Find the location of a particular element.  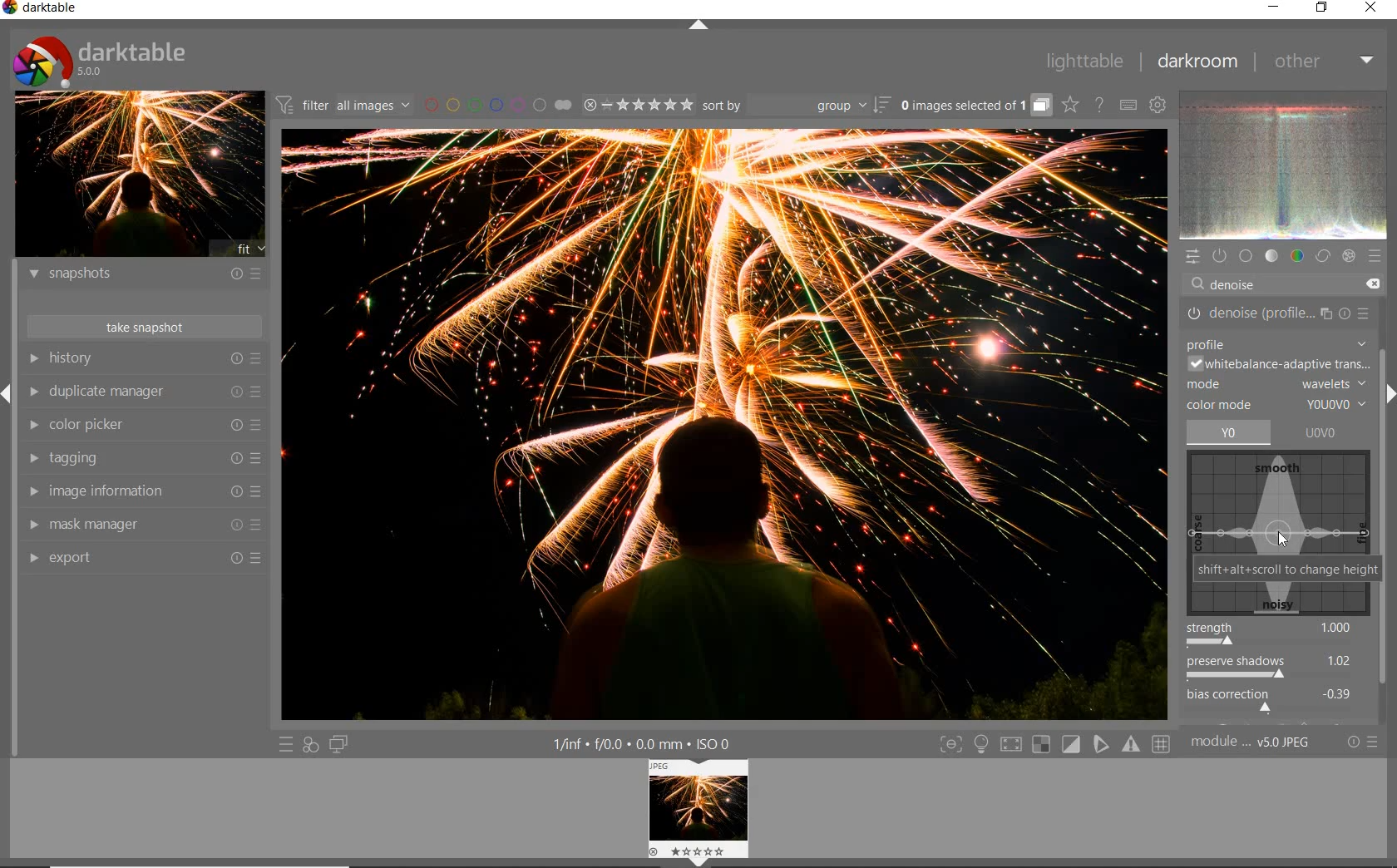

COLOR MODE is located at coordinates (1276, 406).